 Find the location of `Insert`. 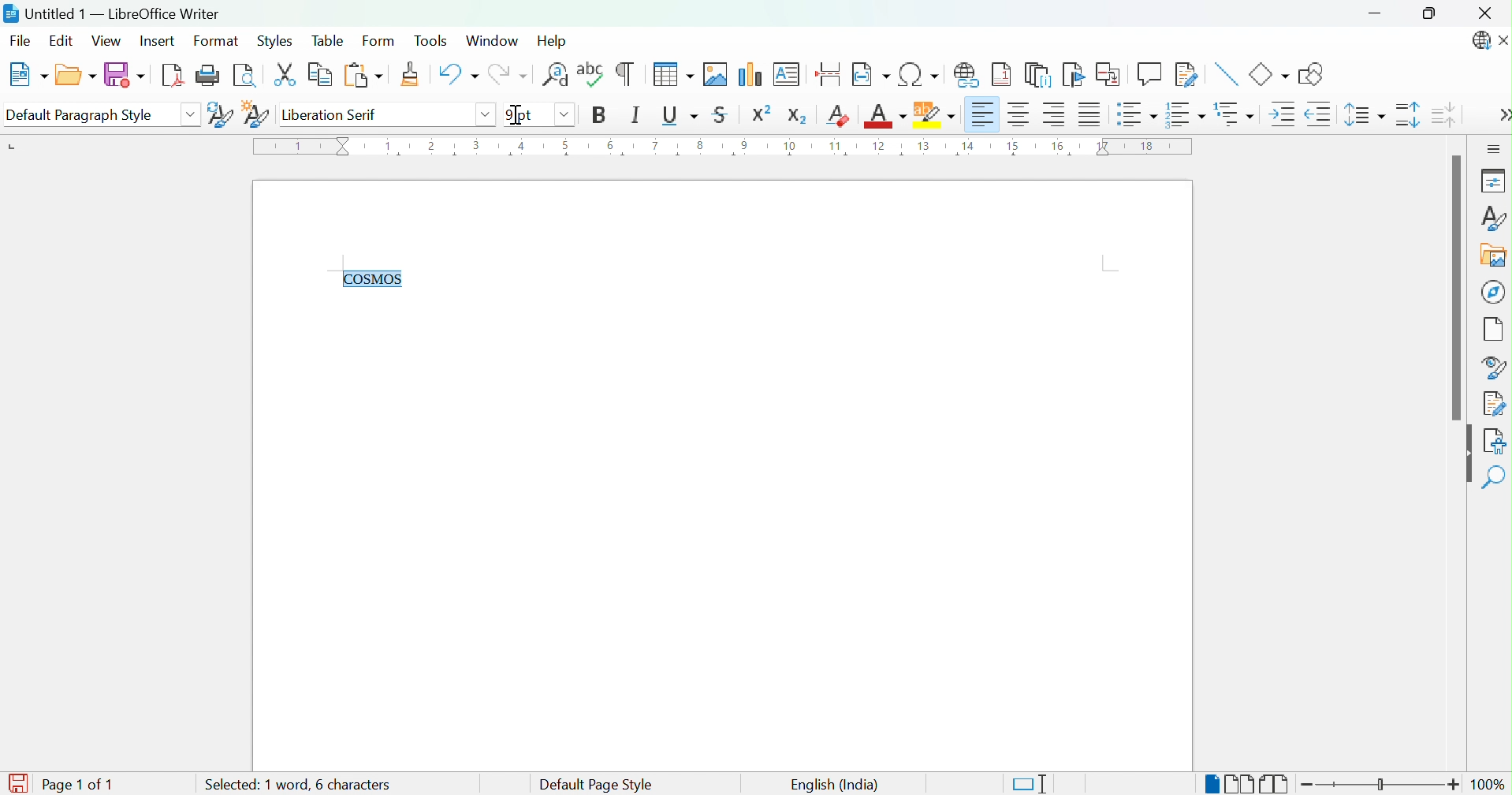

Insert is located at coordinates (160, 43).